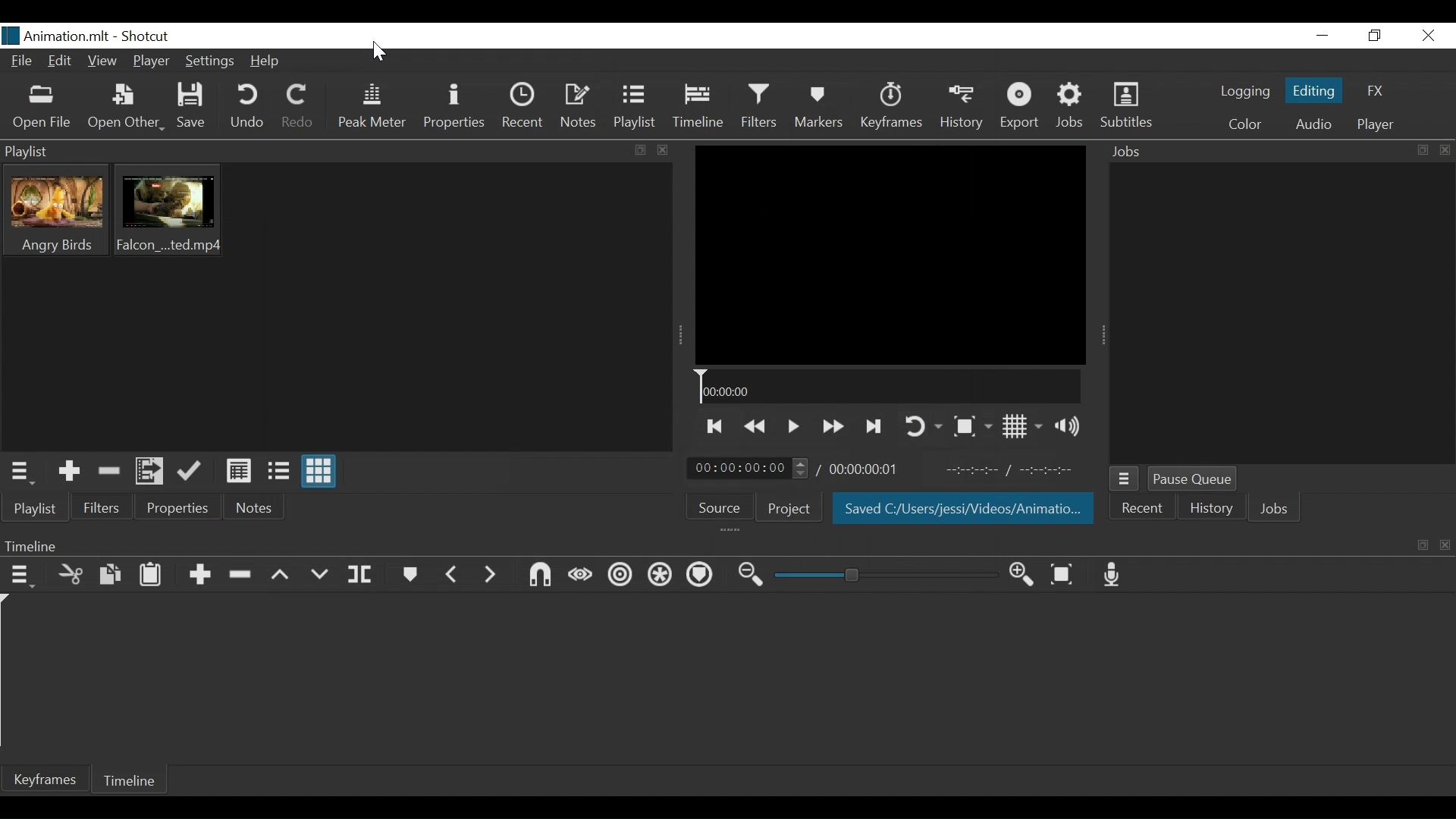 The image size is (1456, 819). I want to click on View as Detail, so click(239, 474).